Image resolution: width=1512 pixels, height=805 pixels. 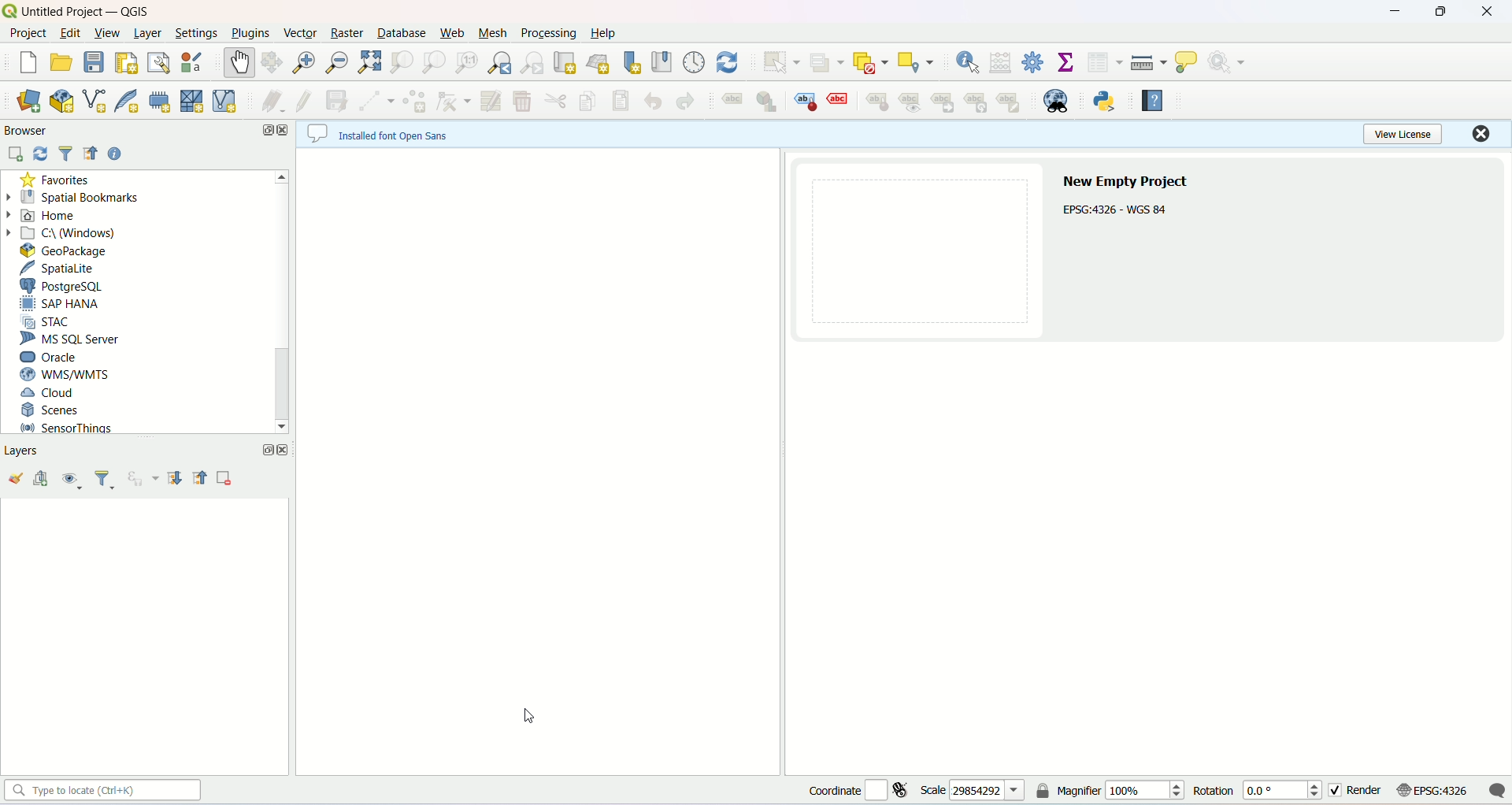 I want to click on layer diagram options, so click(x=767, y=101).